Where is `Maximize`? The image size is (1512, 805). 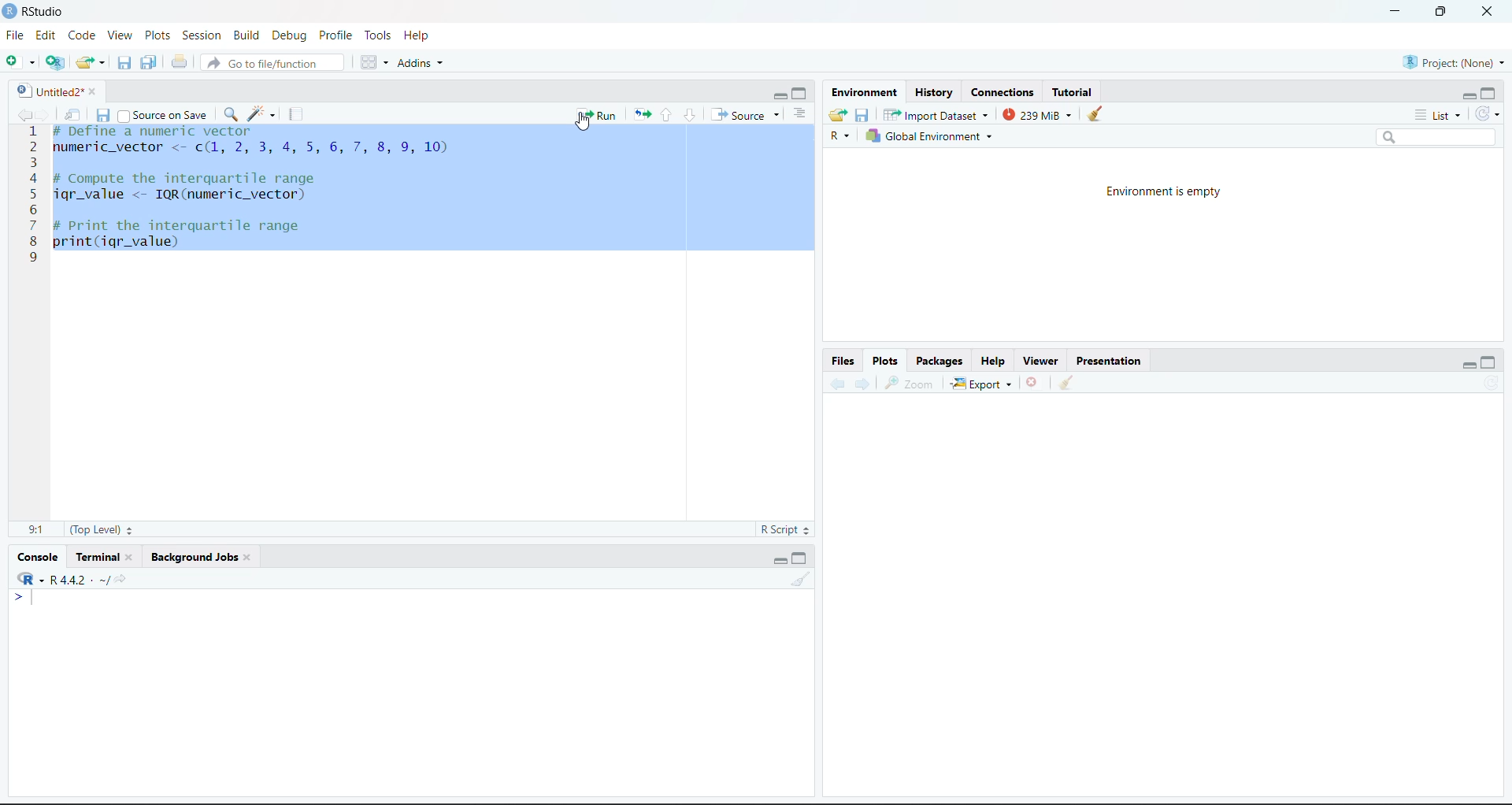 Maximize is located at coordinates (802, 557).